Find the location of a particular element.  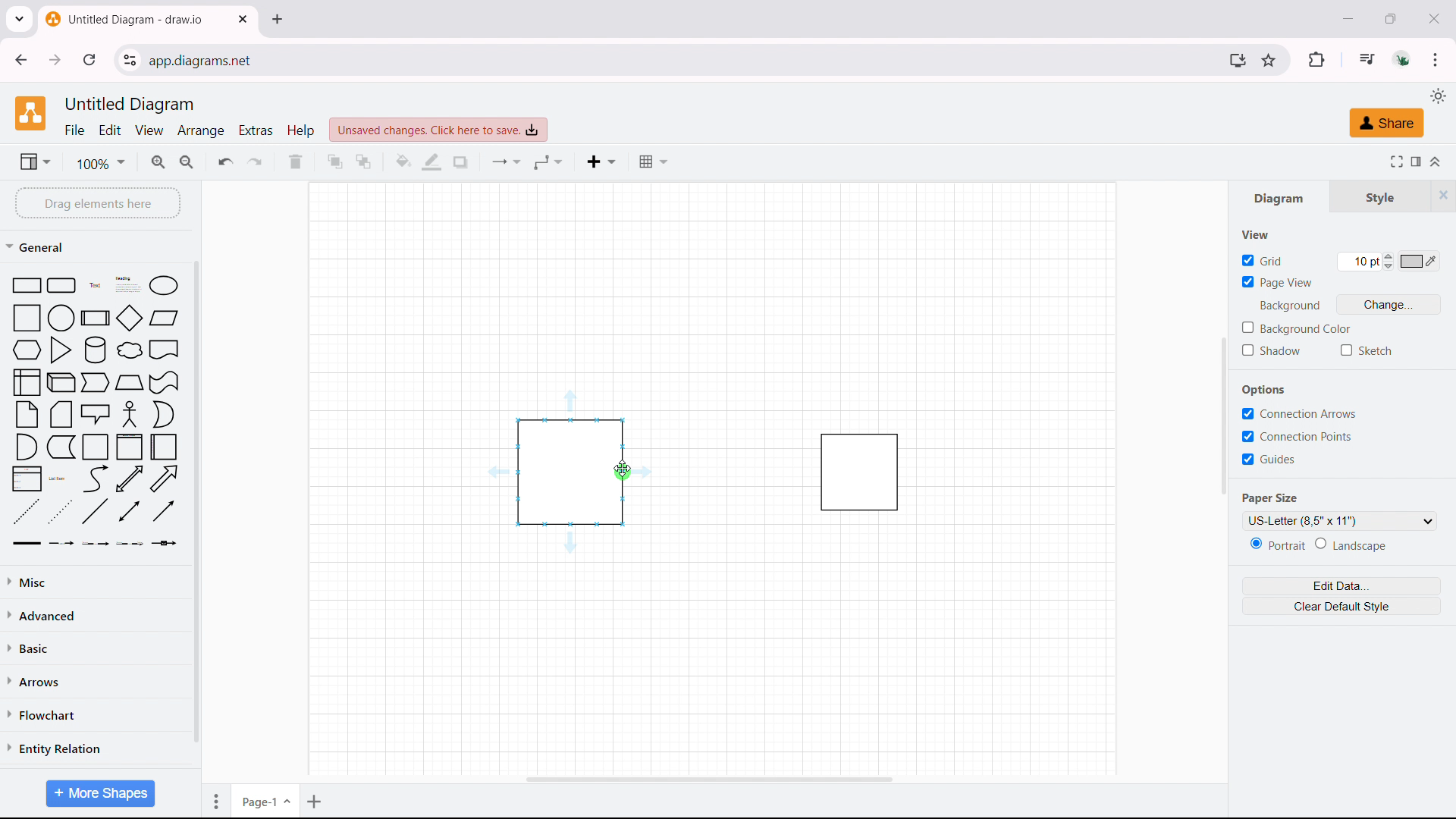

arrange is located at coordinates (202, 130).